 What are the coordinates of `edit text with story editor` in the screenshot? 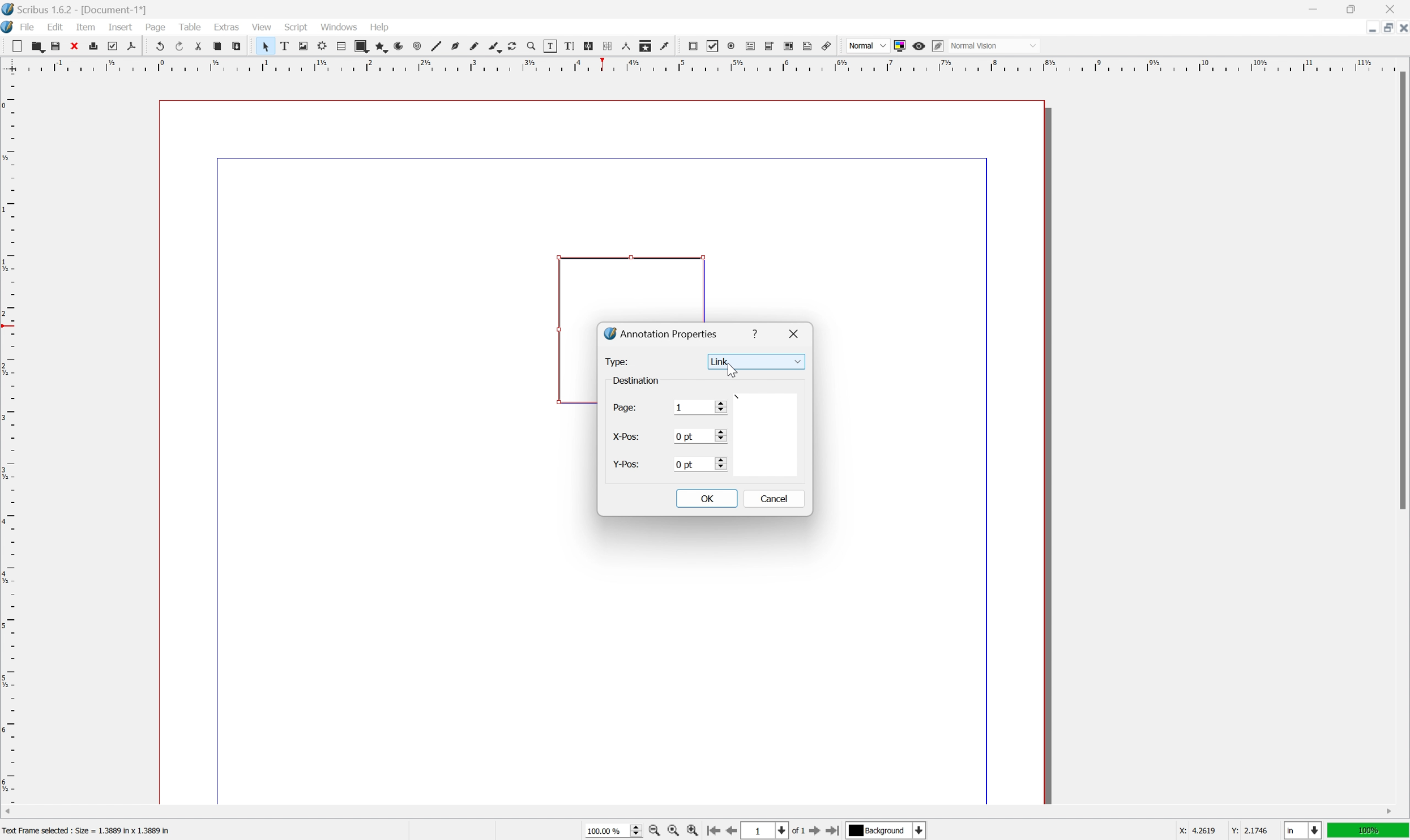 It's located at (569, 46).